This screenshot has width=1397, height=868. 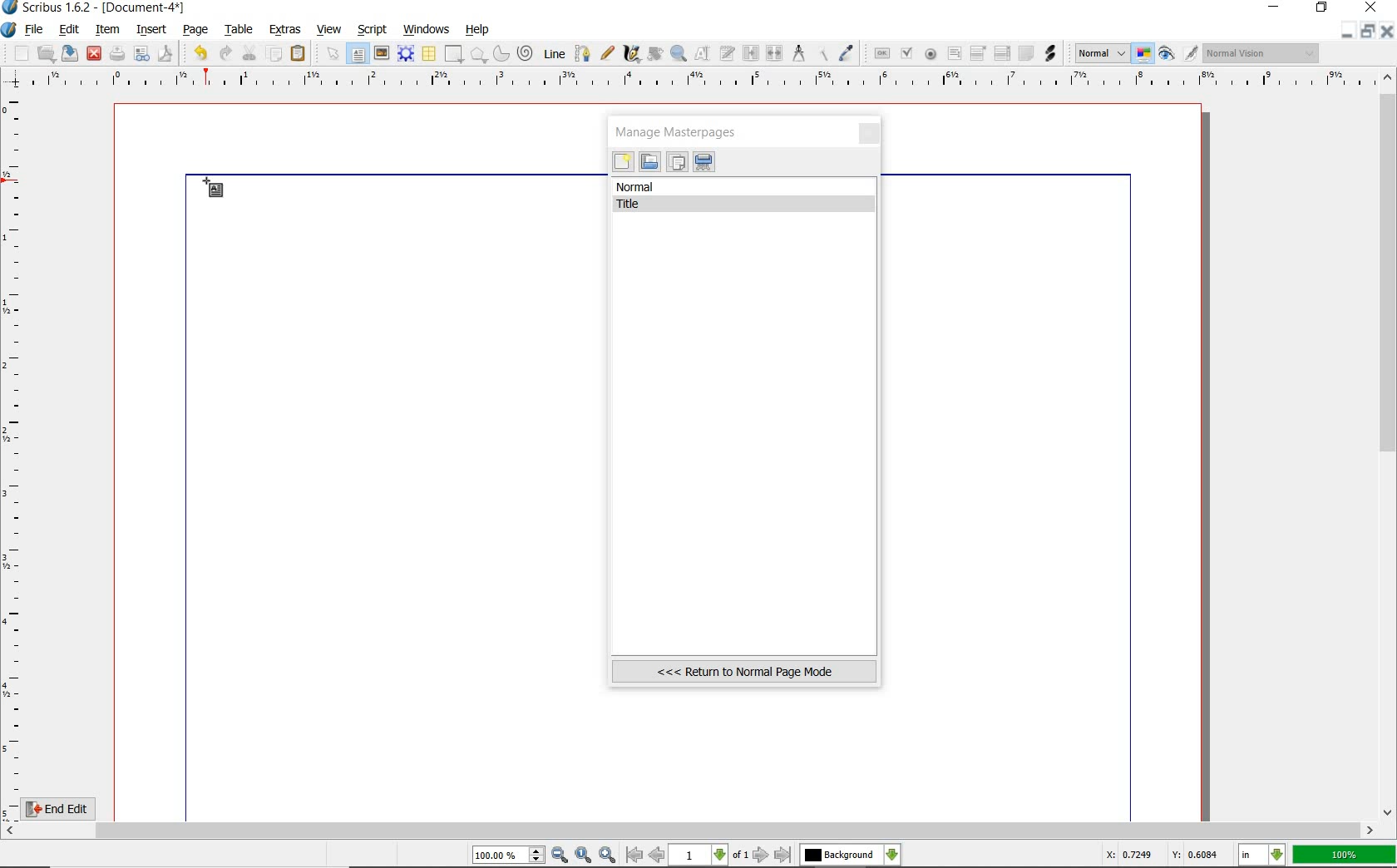 What do you see at coordinates (799, 54) in the screenshot?
I see `measurements` at bounding box center [799, 54].